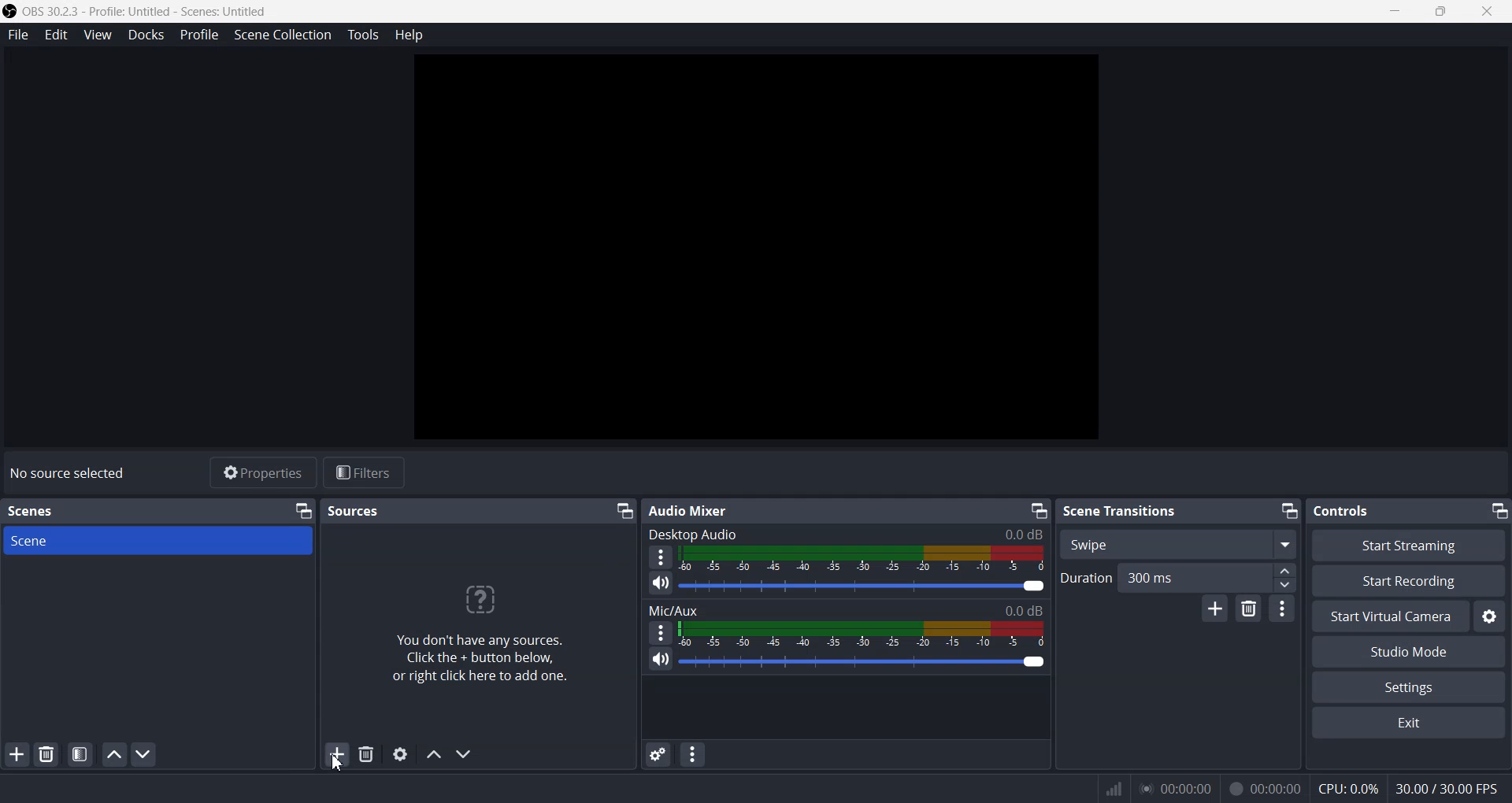 The height and width of the screenshot is (803, 1512). Describe the element at coordinates (865, 587) in the screenshot. I see `Volume Adjuster` at that location.